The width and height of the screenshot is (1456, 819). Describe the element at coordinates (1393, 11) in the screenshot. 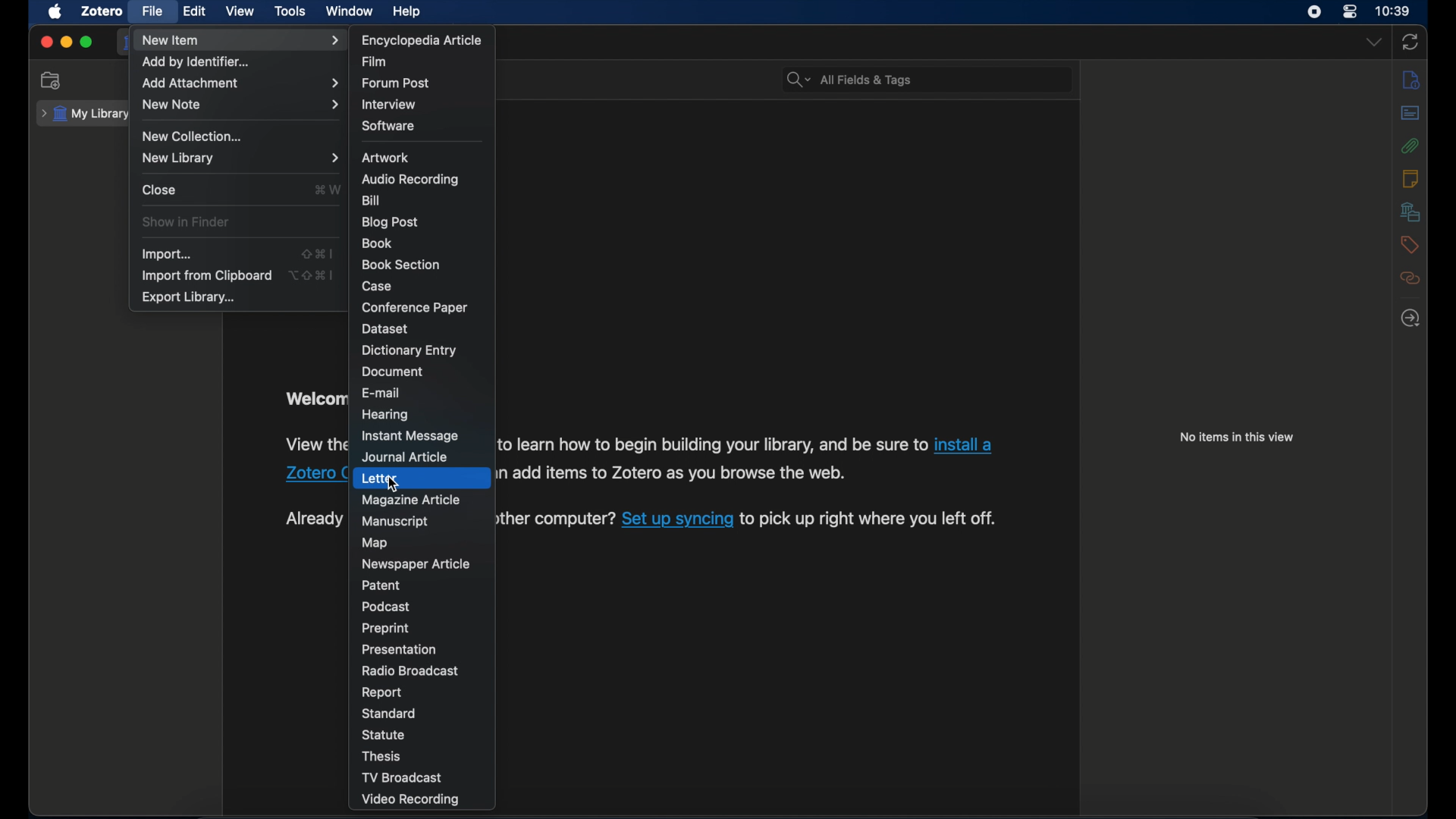

I see `time` at that location.